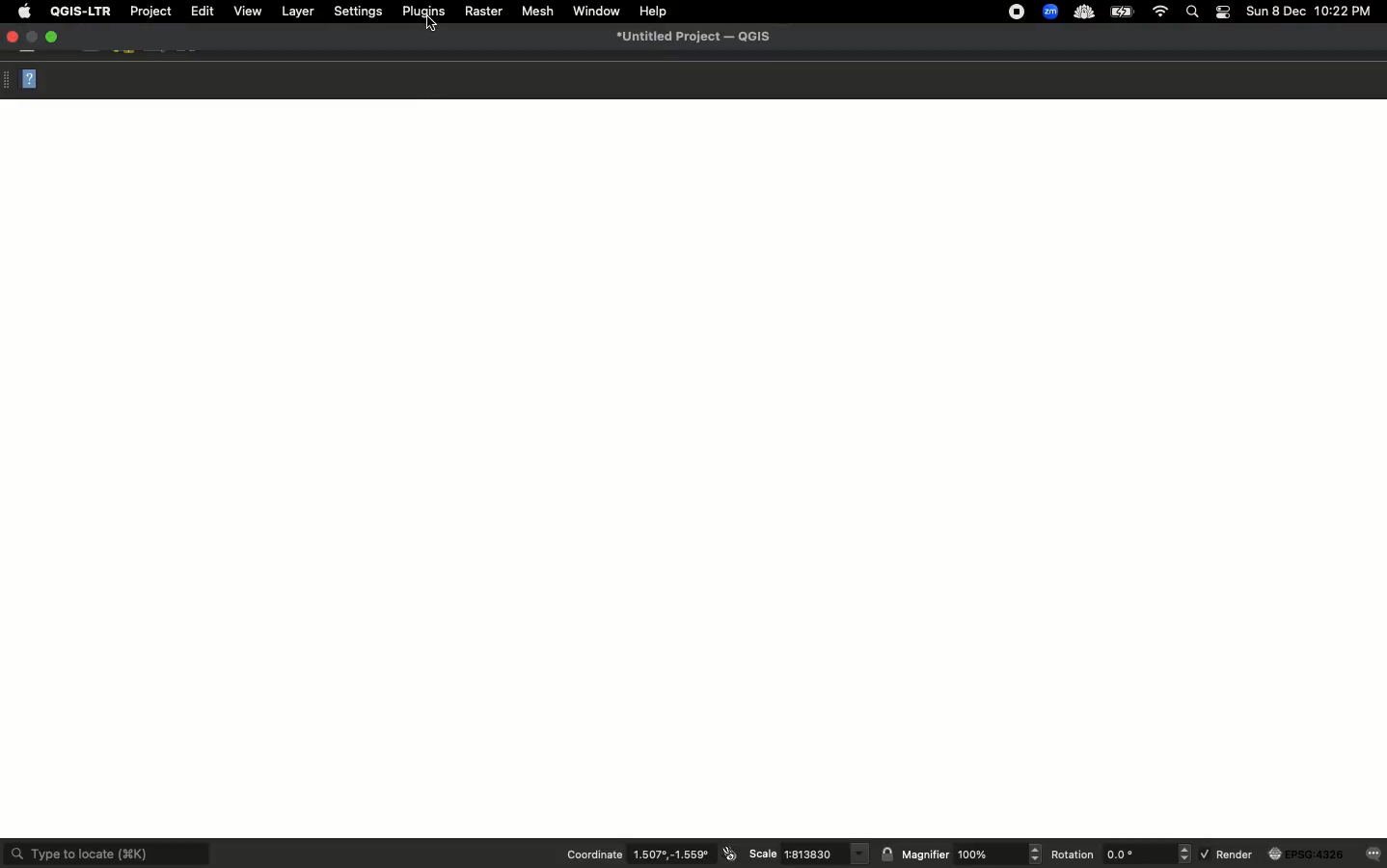 This screenshot has height=868, width=1387. I want to click on Layer, so click(295, 12).